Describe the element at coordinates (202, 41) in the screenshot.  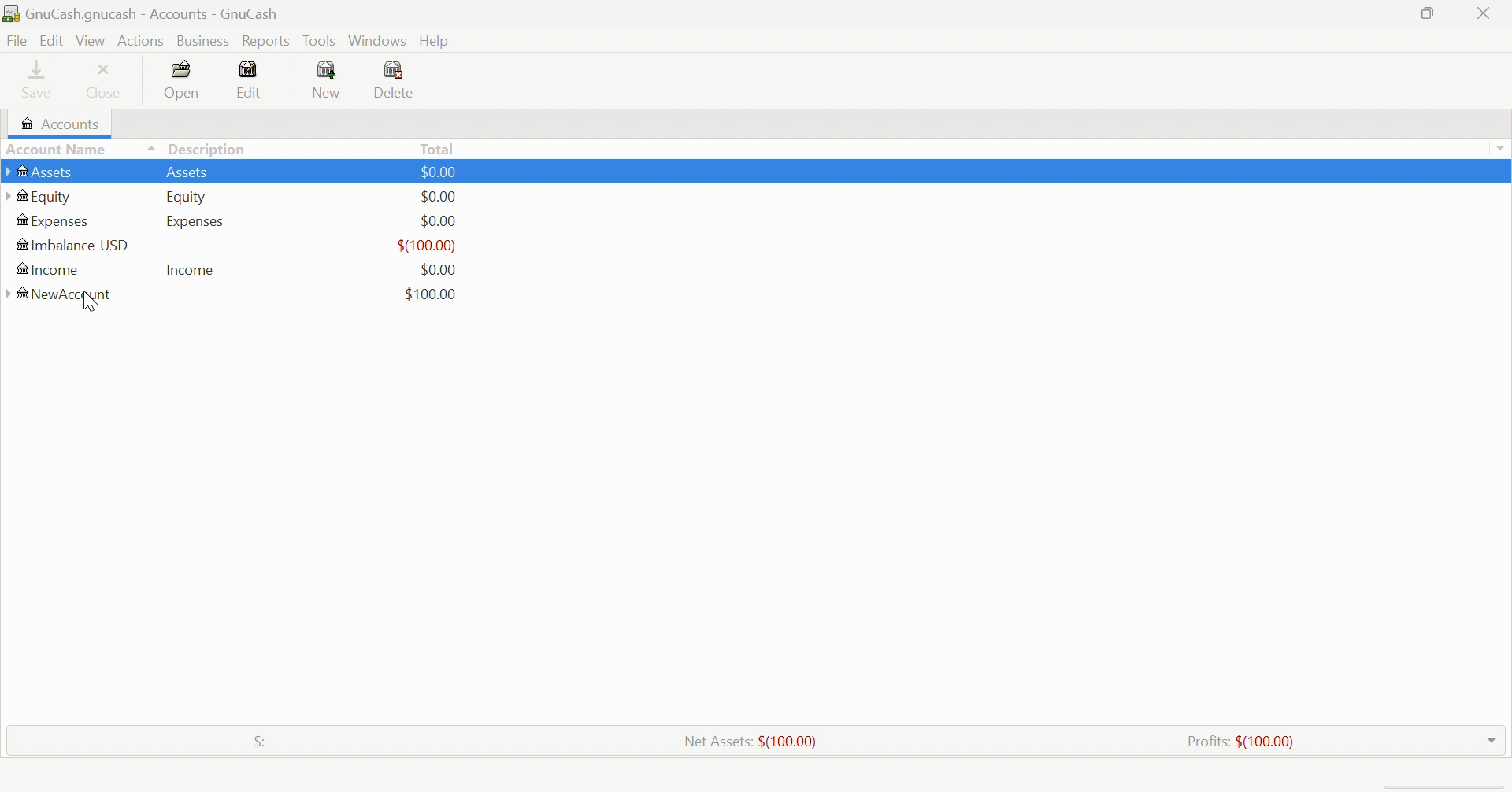
I see `Business` at that location.